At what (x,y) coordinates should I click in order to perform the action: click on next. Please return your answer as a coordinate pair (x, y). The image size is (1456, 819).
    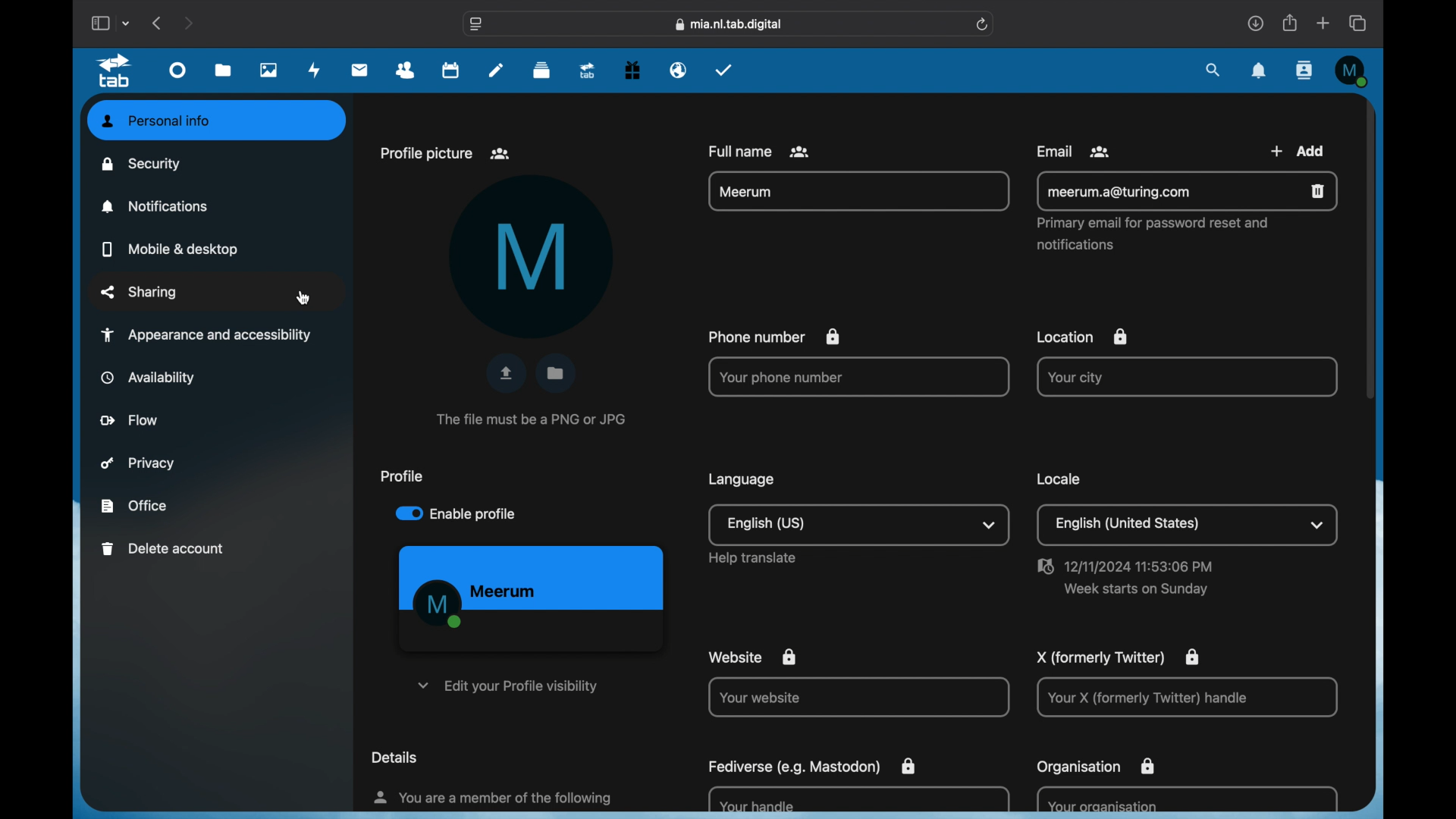
    Looking at the image, I should click on (188, 23).